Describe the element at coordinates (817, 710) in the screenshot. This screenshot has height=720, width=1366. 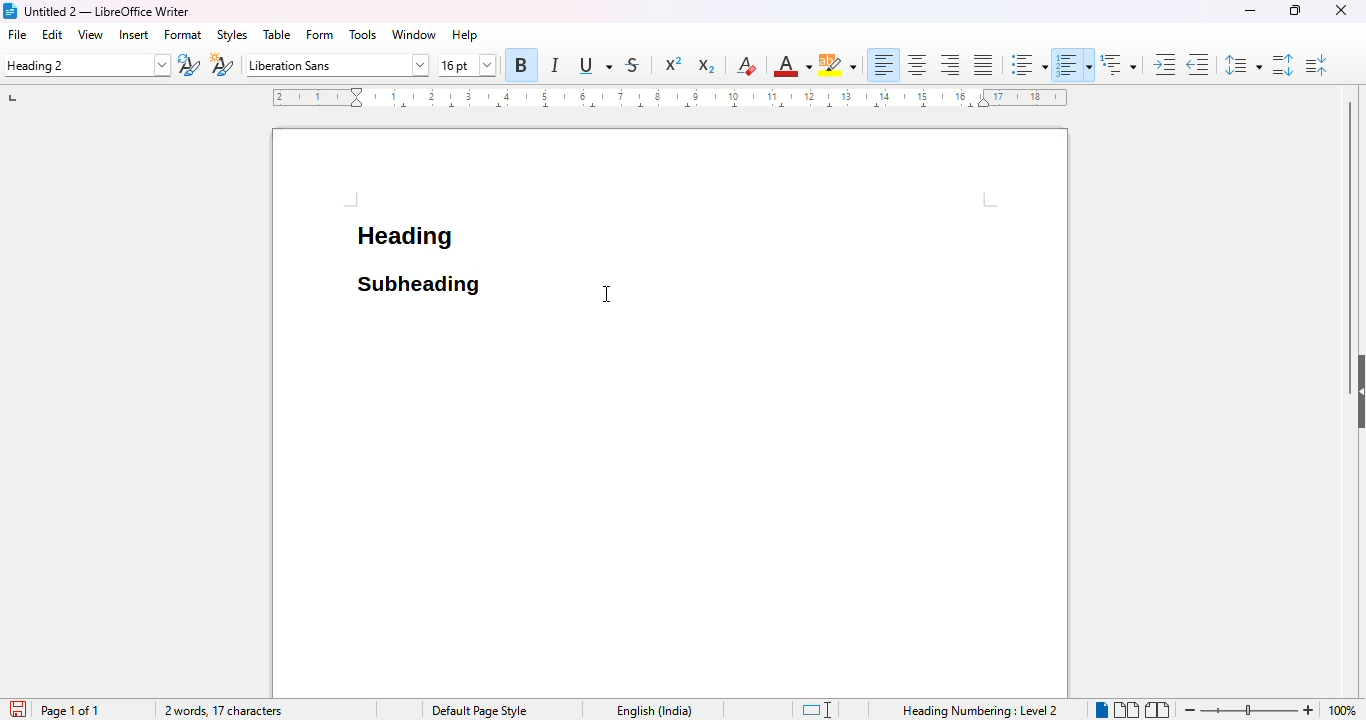
I see `standard selection` at that location.